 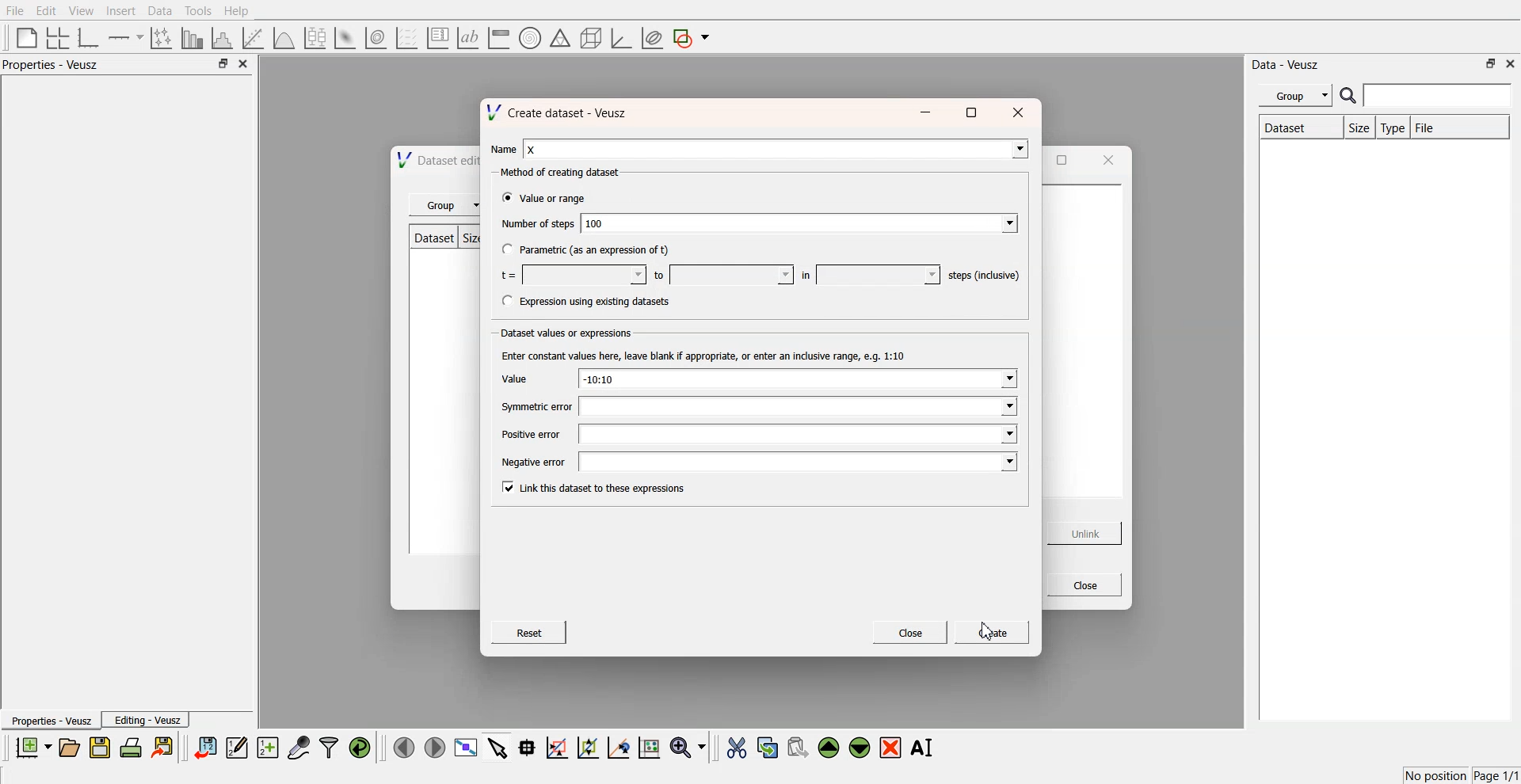 What do you see at coordinates (778, 147) in the screenshot?
I see `X` at bounding box center [778, 147].